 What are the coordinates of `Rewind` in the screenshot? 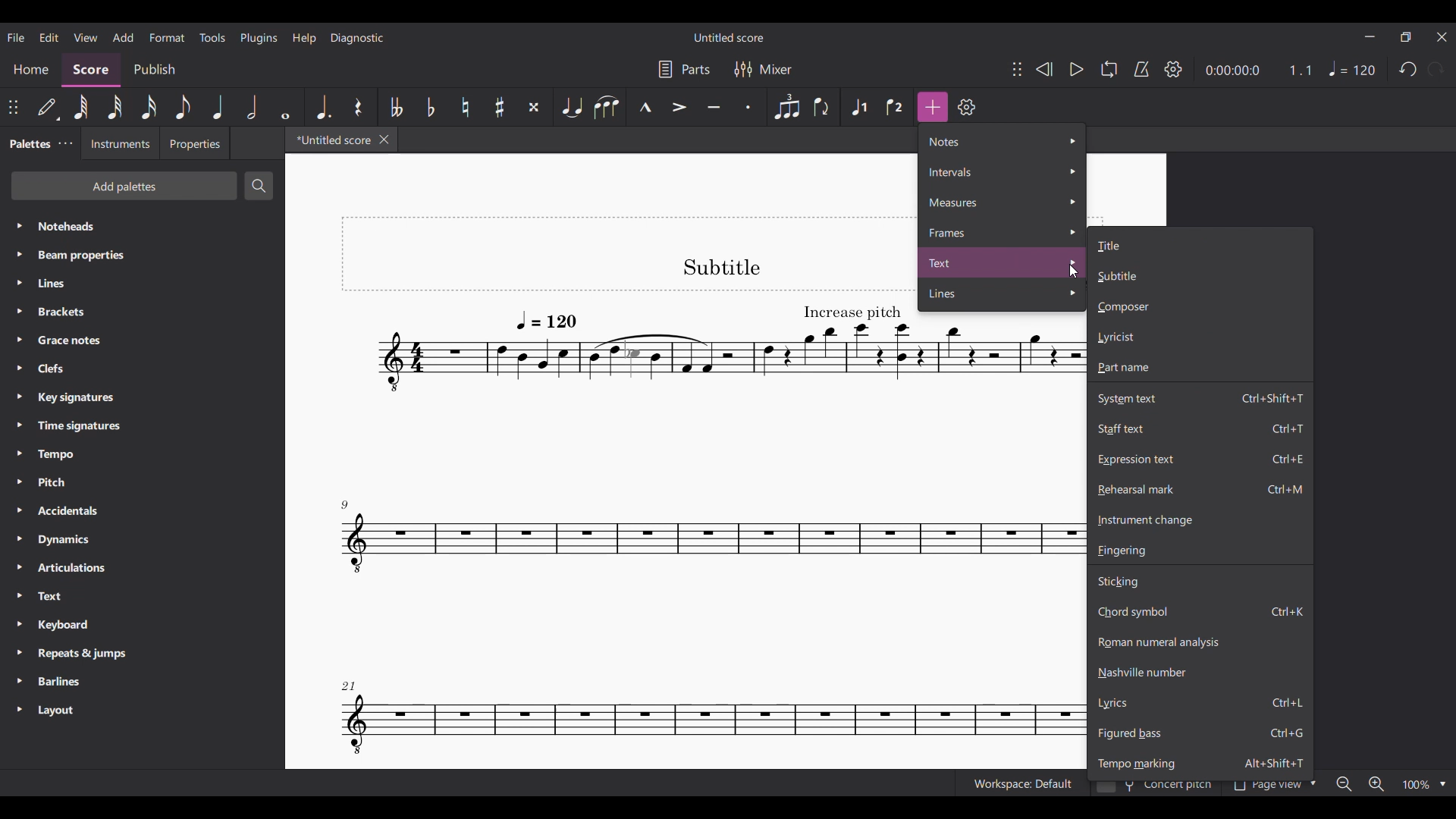 It's located at (1043, 69).